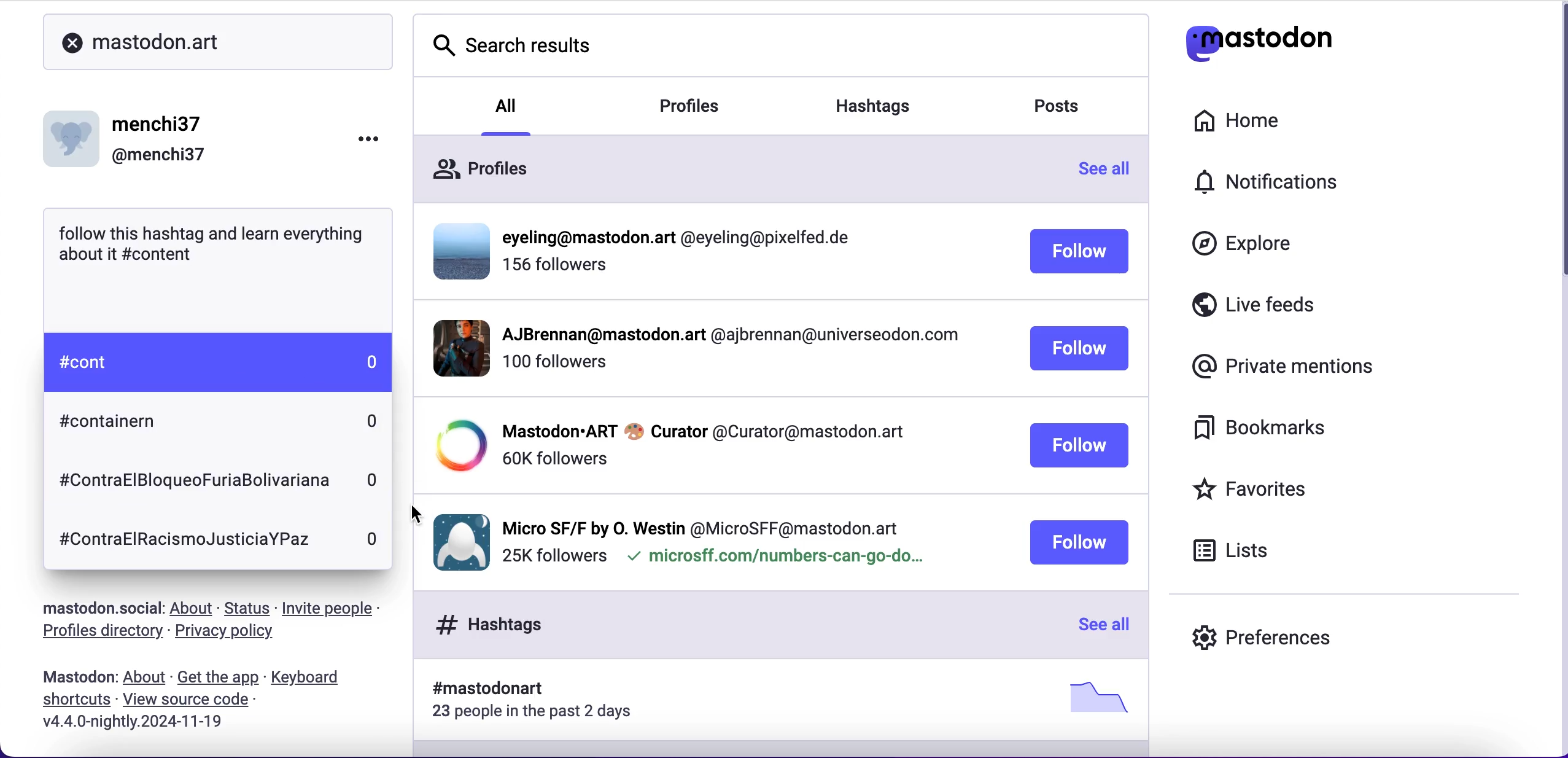 The width and height of the screenshot is (1568, 758). What do you see at coordinates (1278, 367) in the screenshot?
I see `private mentions` at bounding box center [1278, 367].